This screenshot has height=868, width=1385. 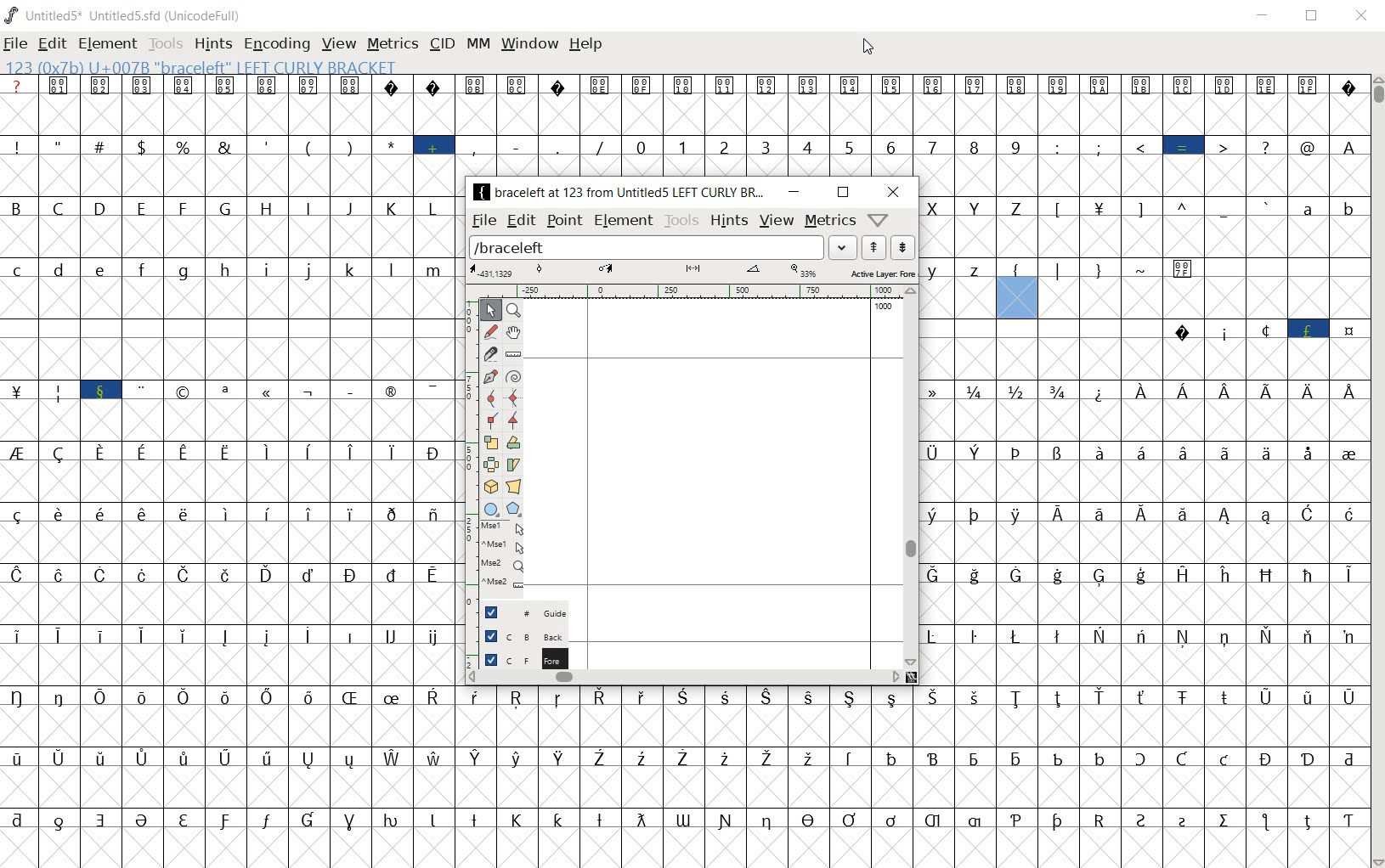 What do you see at coordinates (665, 247) in the screenshot?
I see `load word list` at bounding box center [665, 247].